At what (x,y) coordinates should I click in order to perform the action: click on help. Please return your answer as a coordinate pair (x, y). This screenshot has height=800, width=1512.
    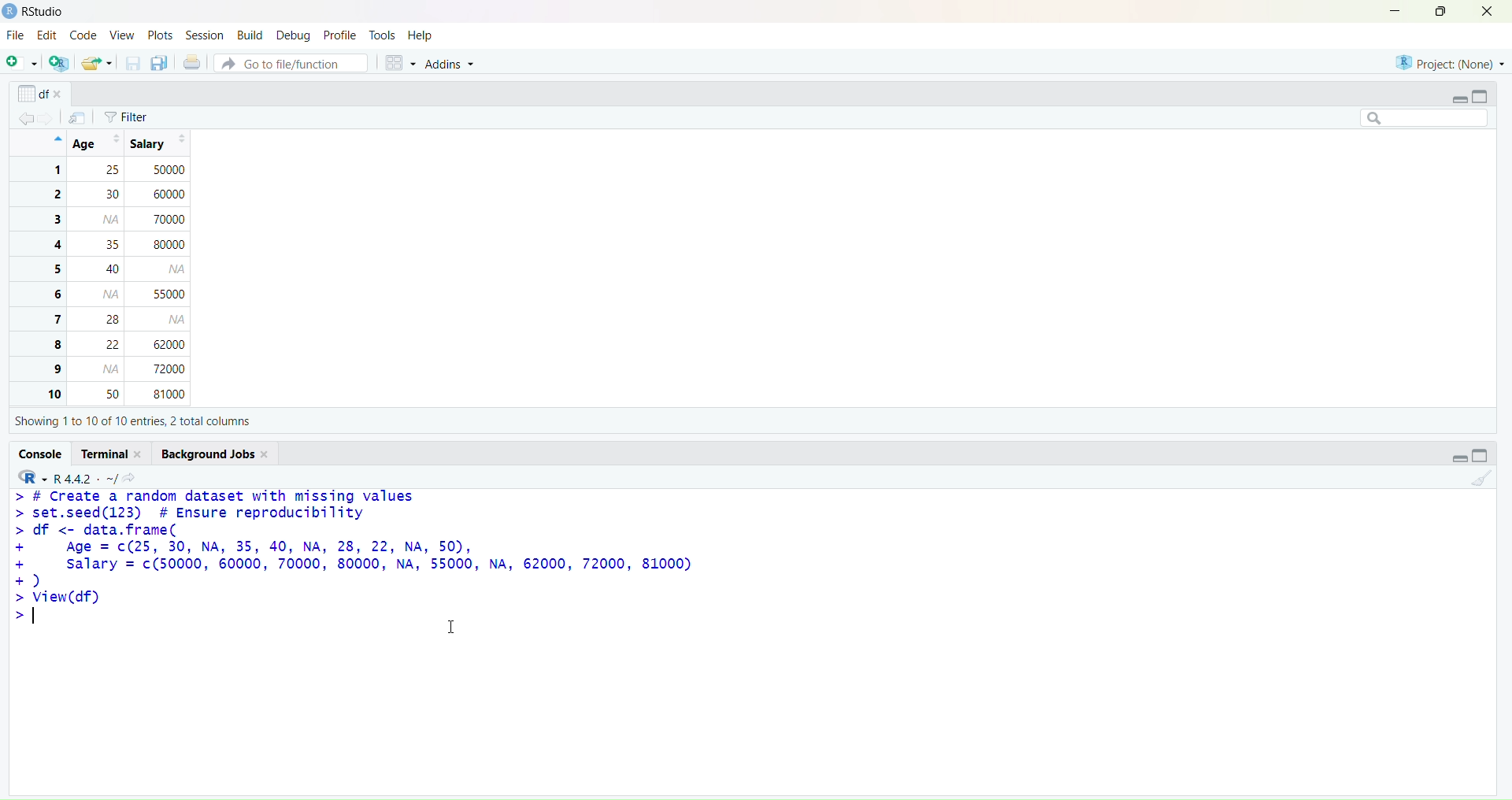
    Looking at the image, I should click on (421, 35).